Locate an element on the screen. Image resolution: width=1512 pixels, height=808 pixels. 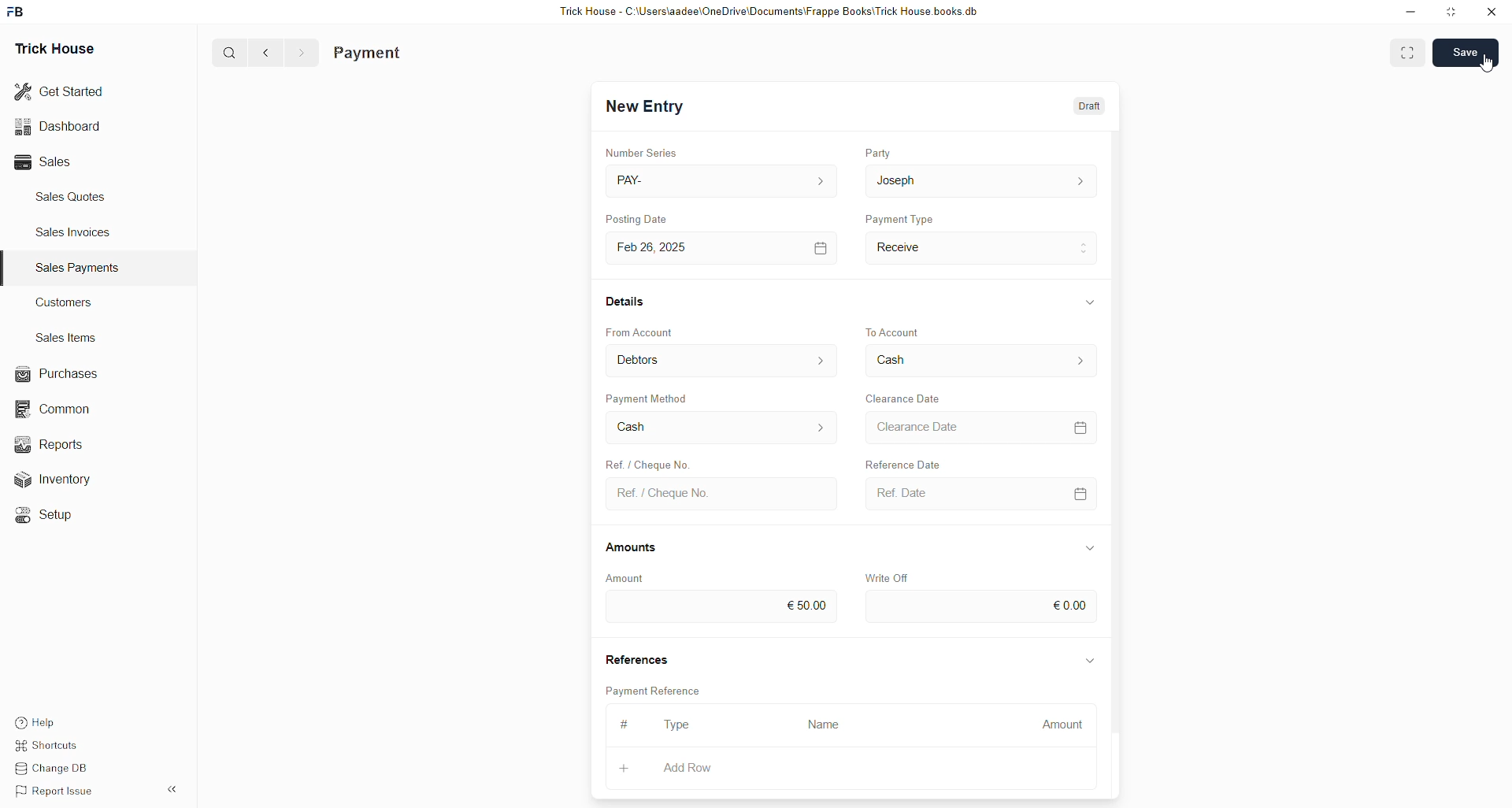
logo is located at coordinates (17, 12).